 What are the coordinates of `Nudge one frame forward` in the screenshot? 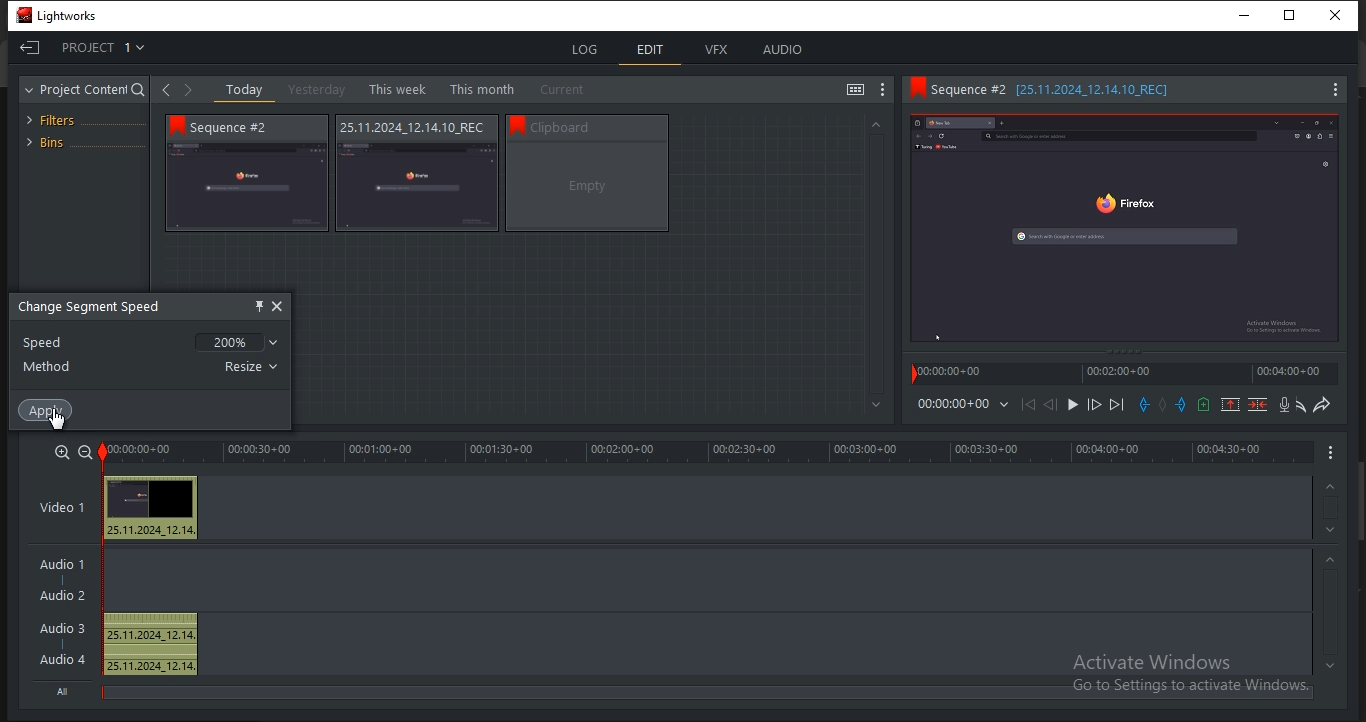 It's located at (1094, 405).